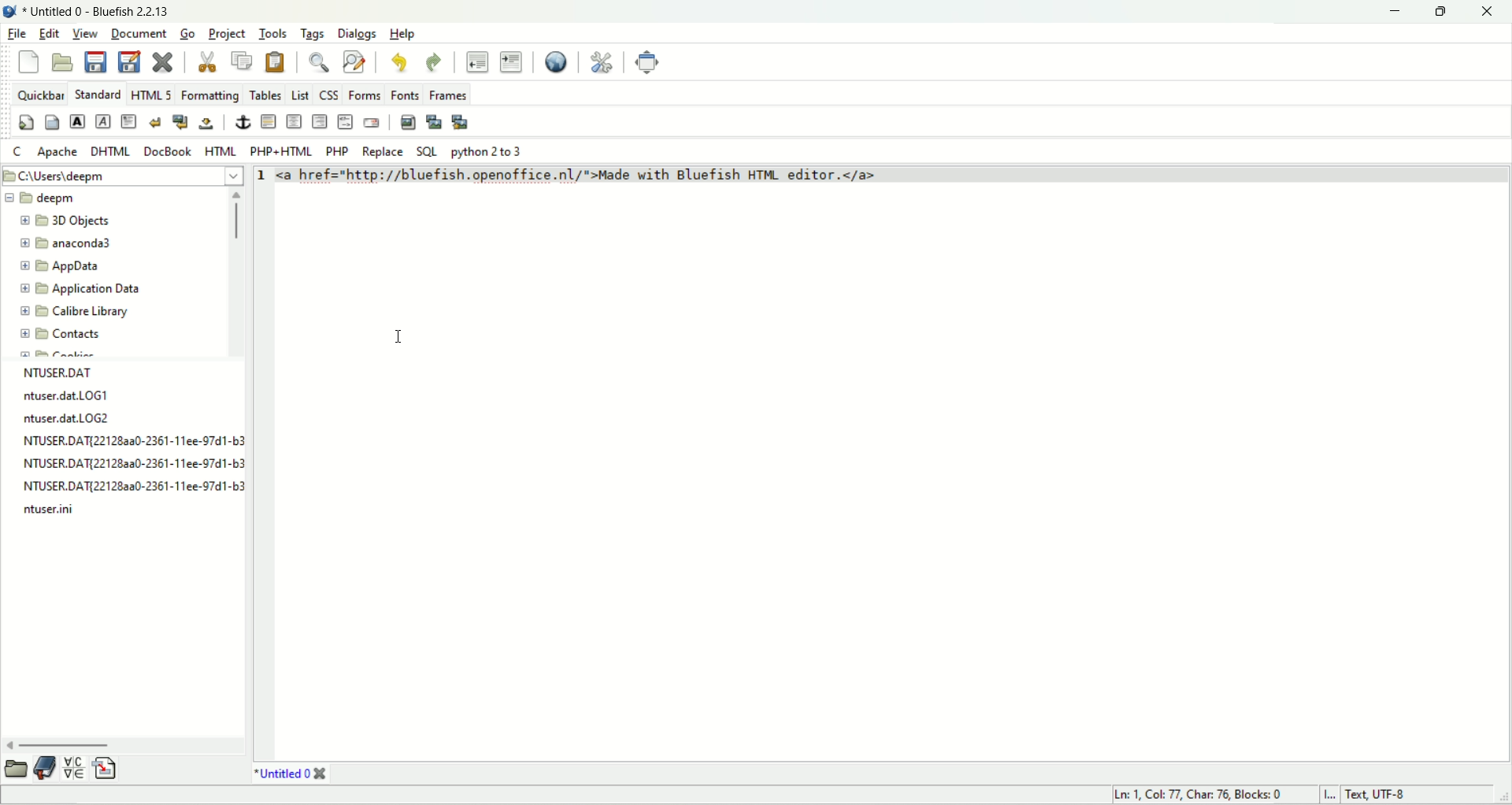 The width and height of the screenshot is (1512, 805). Describe the element at coordinates (102, 120) in the screenshot. I see `emphasize` at that location.